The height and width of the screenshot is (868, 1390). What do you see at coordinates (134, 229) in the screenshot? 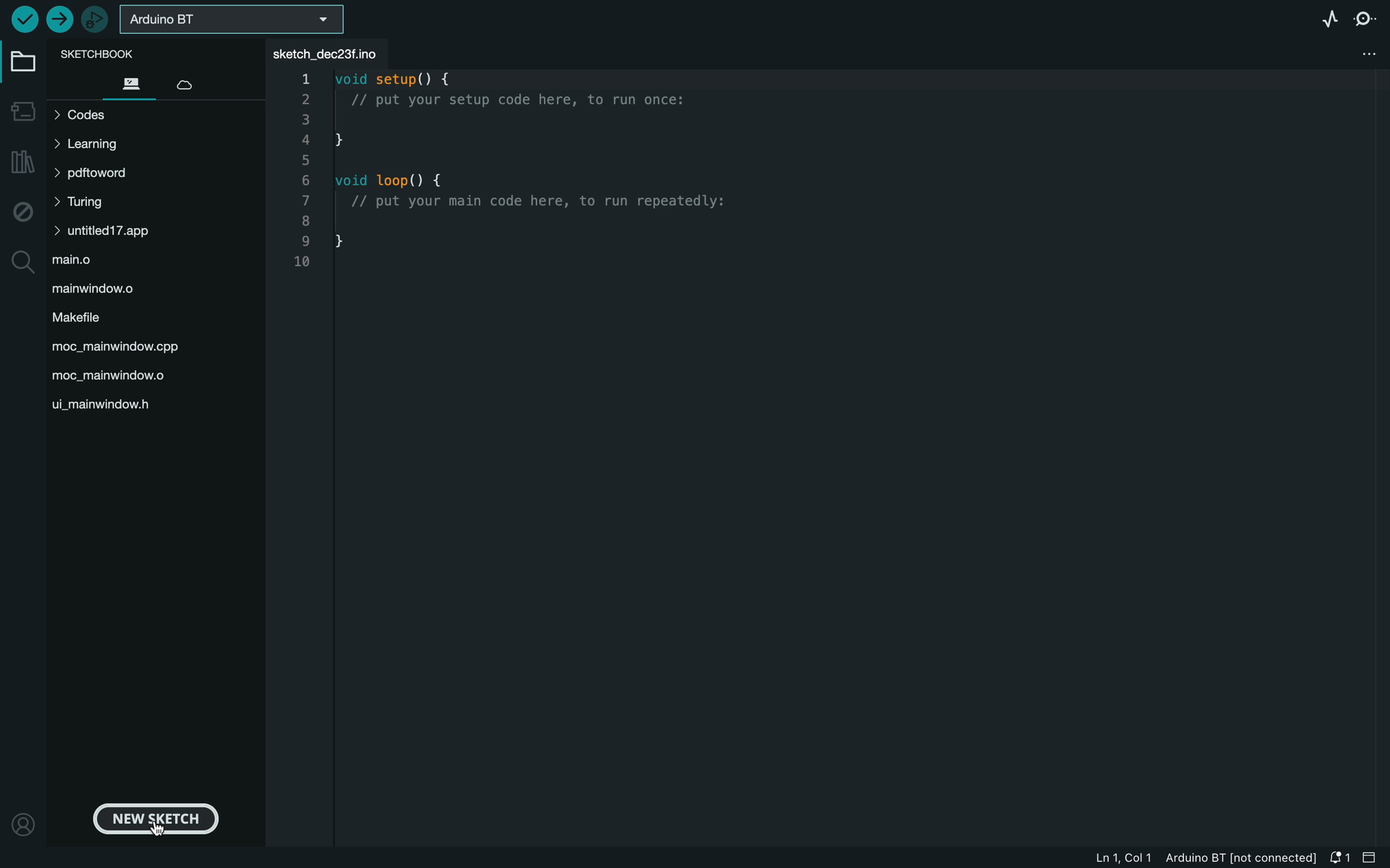
I see `untitled` at bounding box center [134, 229].